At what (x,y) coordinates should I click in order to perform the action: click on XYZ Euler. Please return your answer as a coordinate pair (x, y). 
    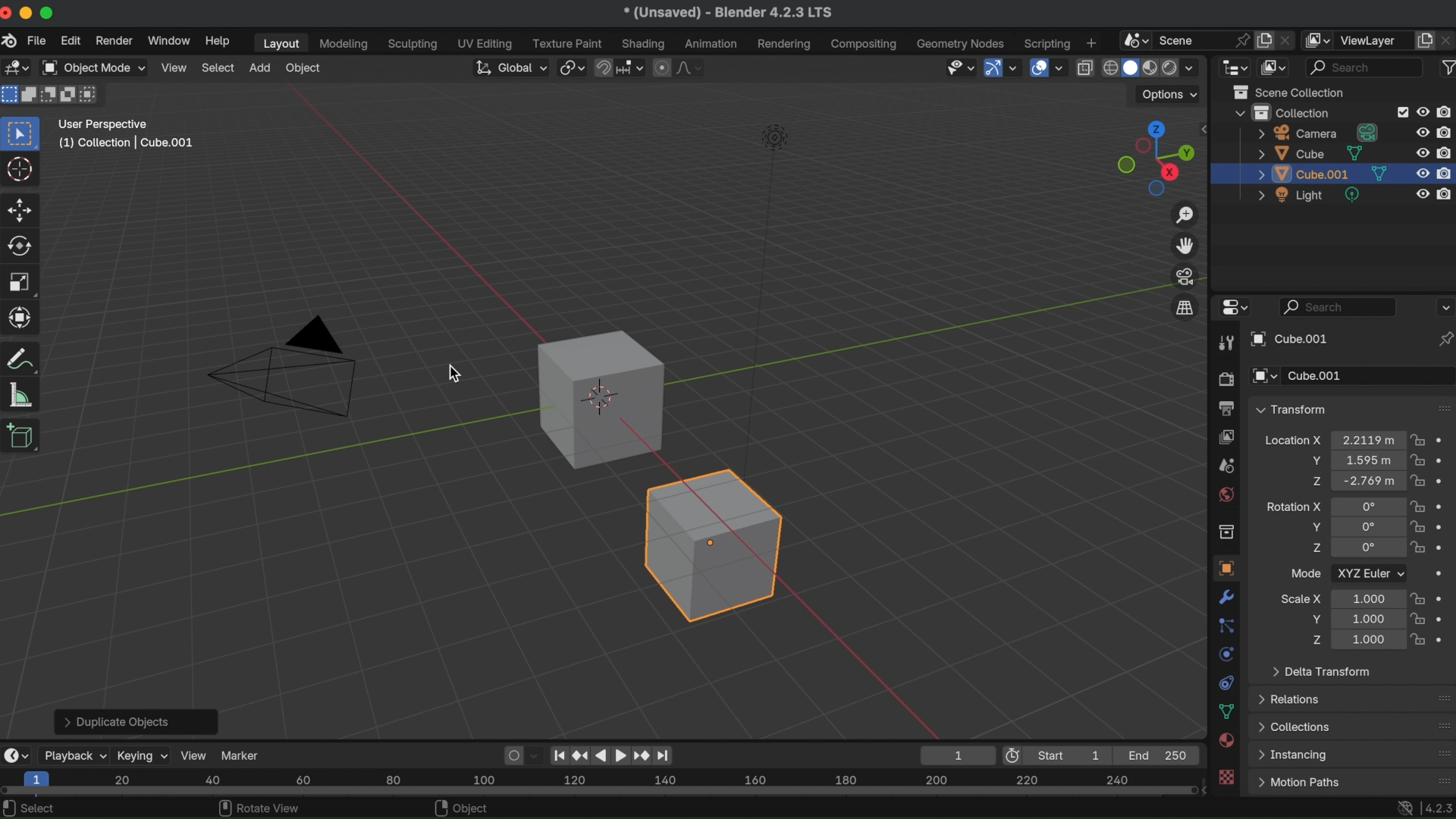
    Looking at the image, I should click on (1370, 573).